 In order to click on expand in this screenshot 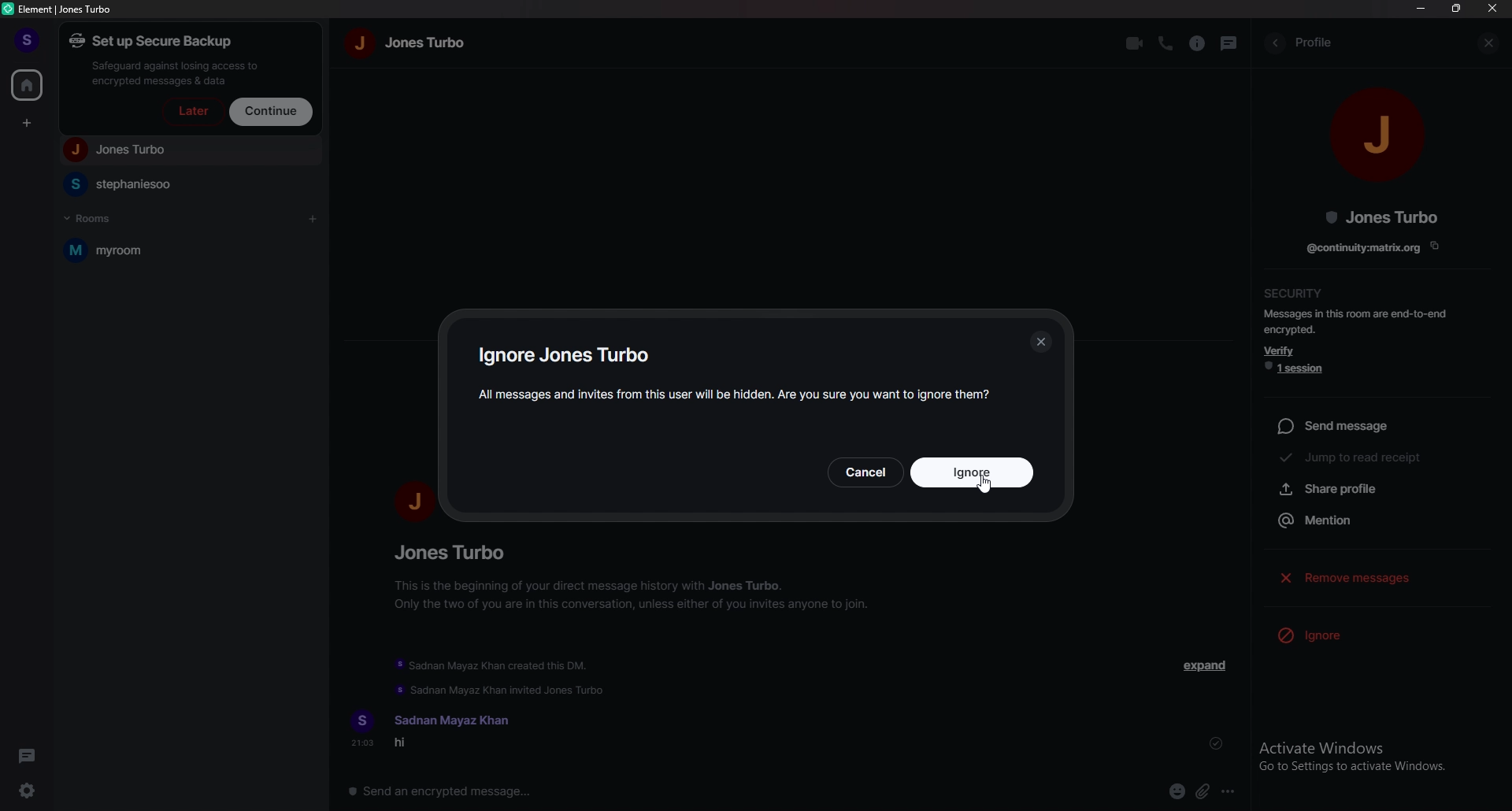, I will do `click(1206, 665)`.